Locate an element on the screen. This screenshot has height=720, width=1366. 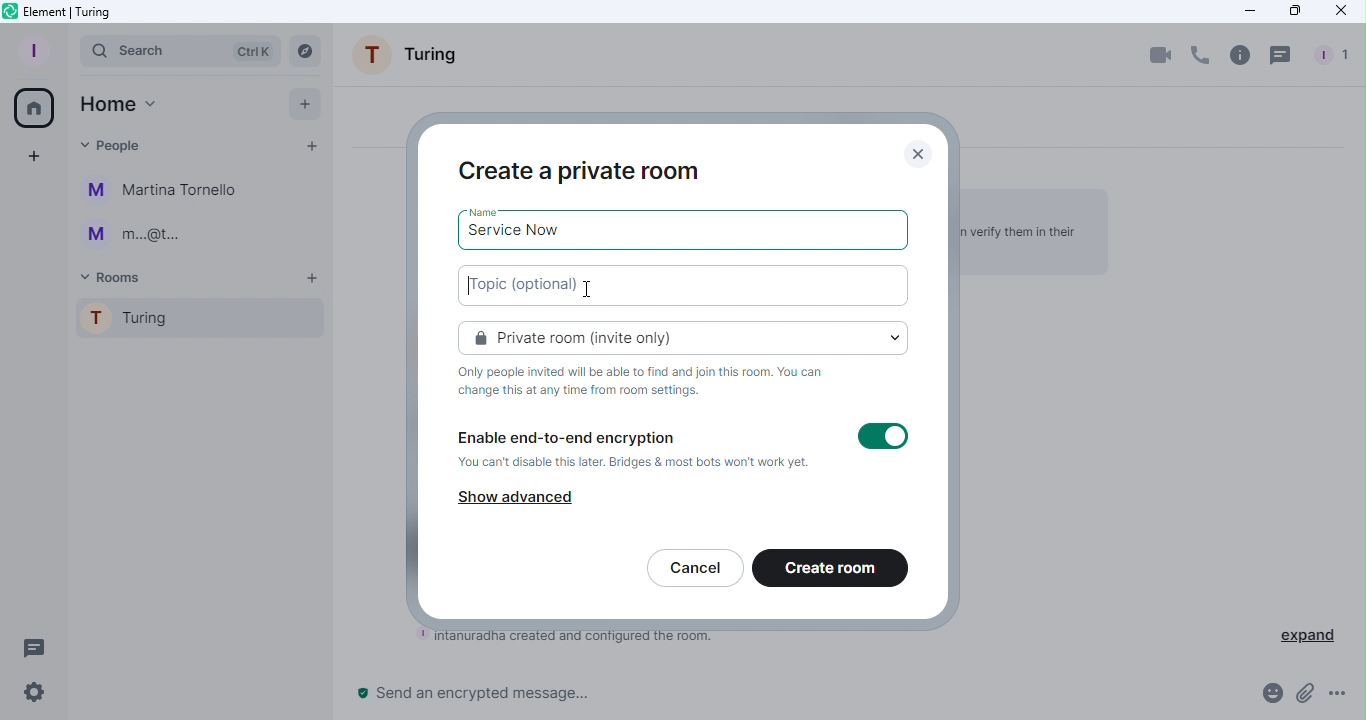
Profile is located at coordinates (30, 49).